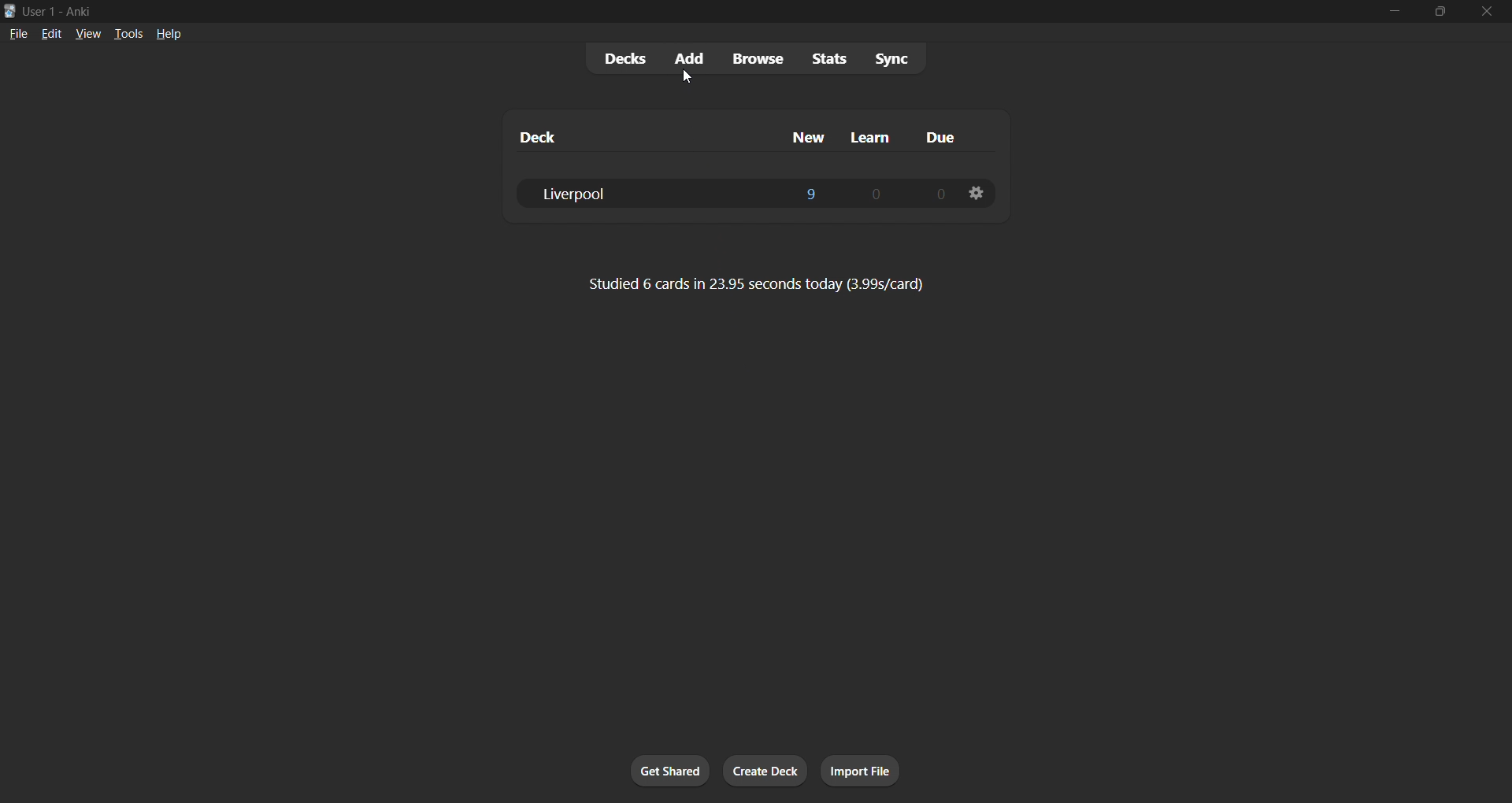 The width and height of the screenshot is (1512, 803). I want to click on card data, so click(752, 287).